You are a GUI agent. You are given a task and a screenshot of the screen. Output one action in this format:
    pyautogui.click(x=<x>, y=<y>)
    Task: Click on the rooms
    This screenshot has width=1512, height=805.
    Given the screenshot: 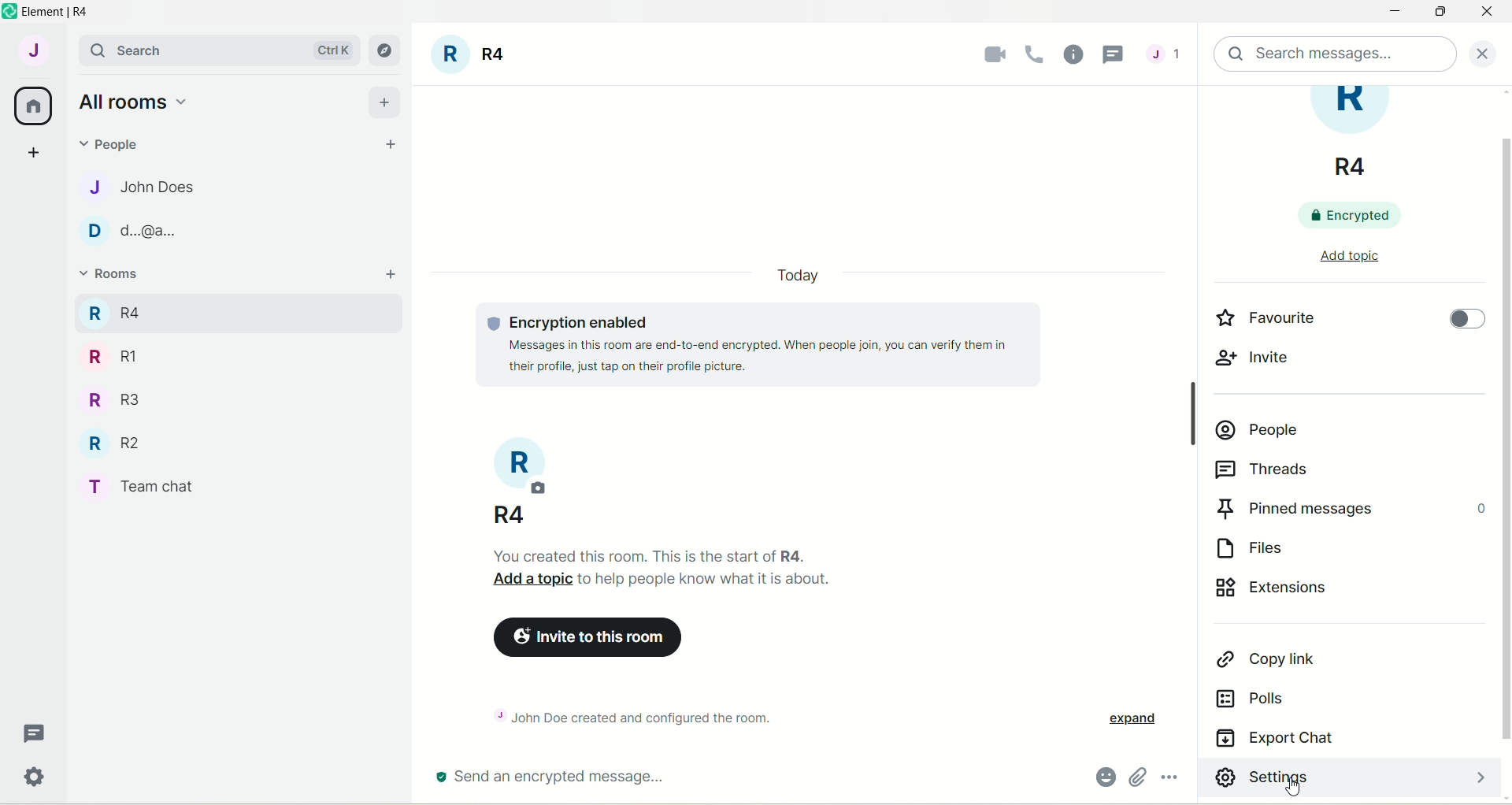 What is the action you would take?
    pyautogui.click(x=112, y=276)
    